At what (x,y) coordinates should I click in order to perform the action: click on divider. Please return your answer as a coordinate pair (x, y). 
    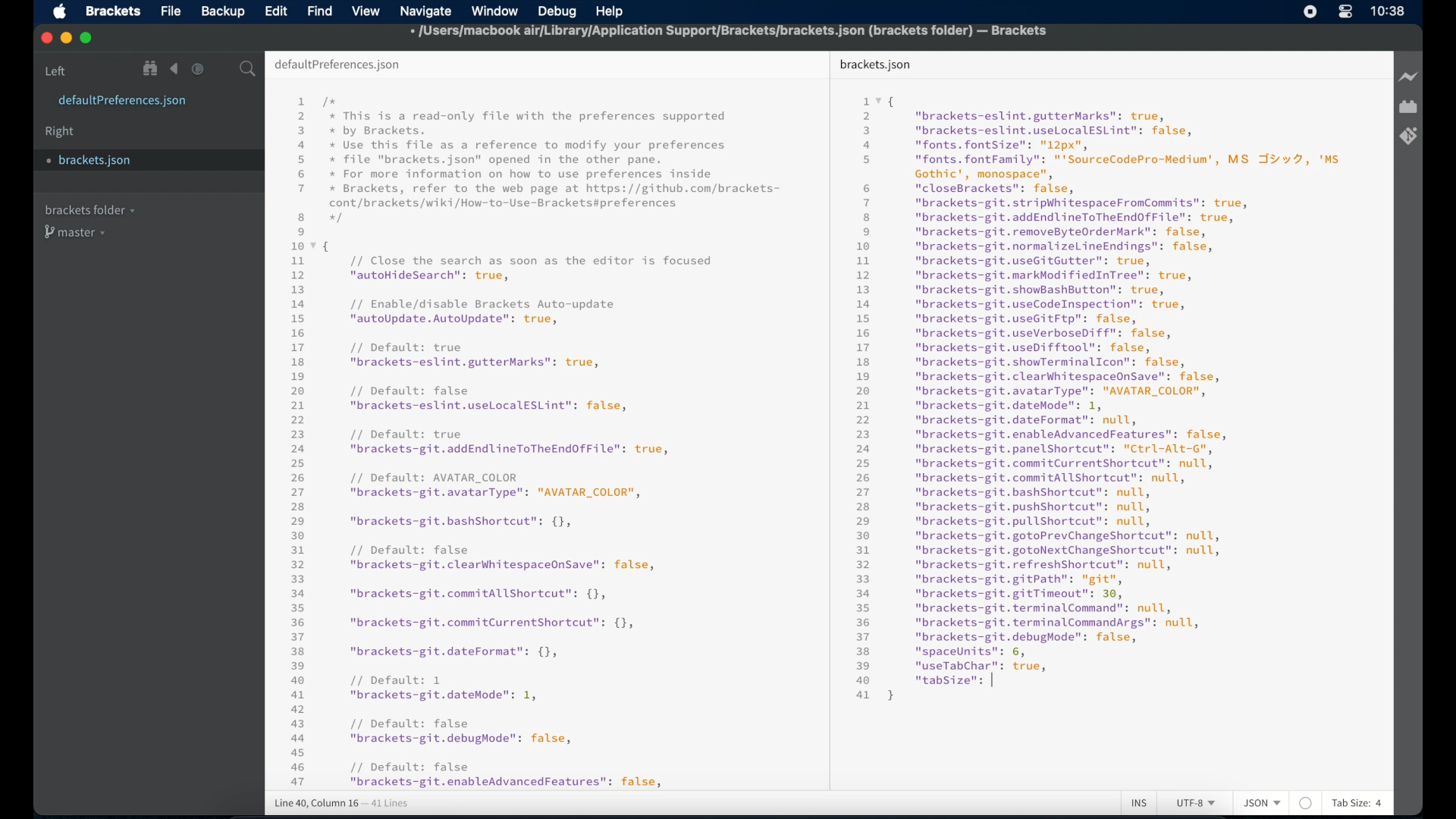
    Looking at the image, I should click on (826, 419).